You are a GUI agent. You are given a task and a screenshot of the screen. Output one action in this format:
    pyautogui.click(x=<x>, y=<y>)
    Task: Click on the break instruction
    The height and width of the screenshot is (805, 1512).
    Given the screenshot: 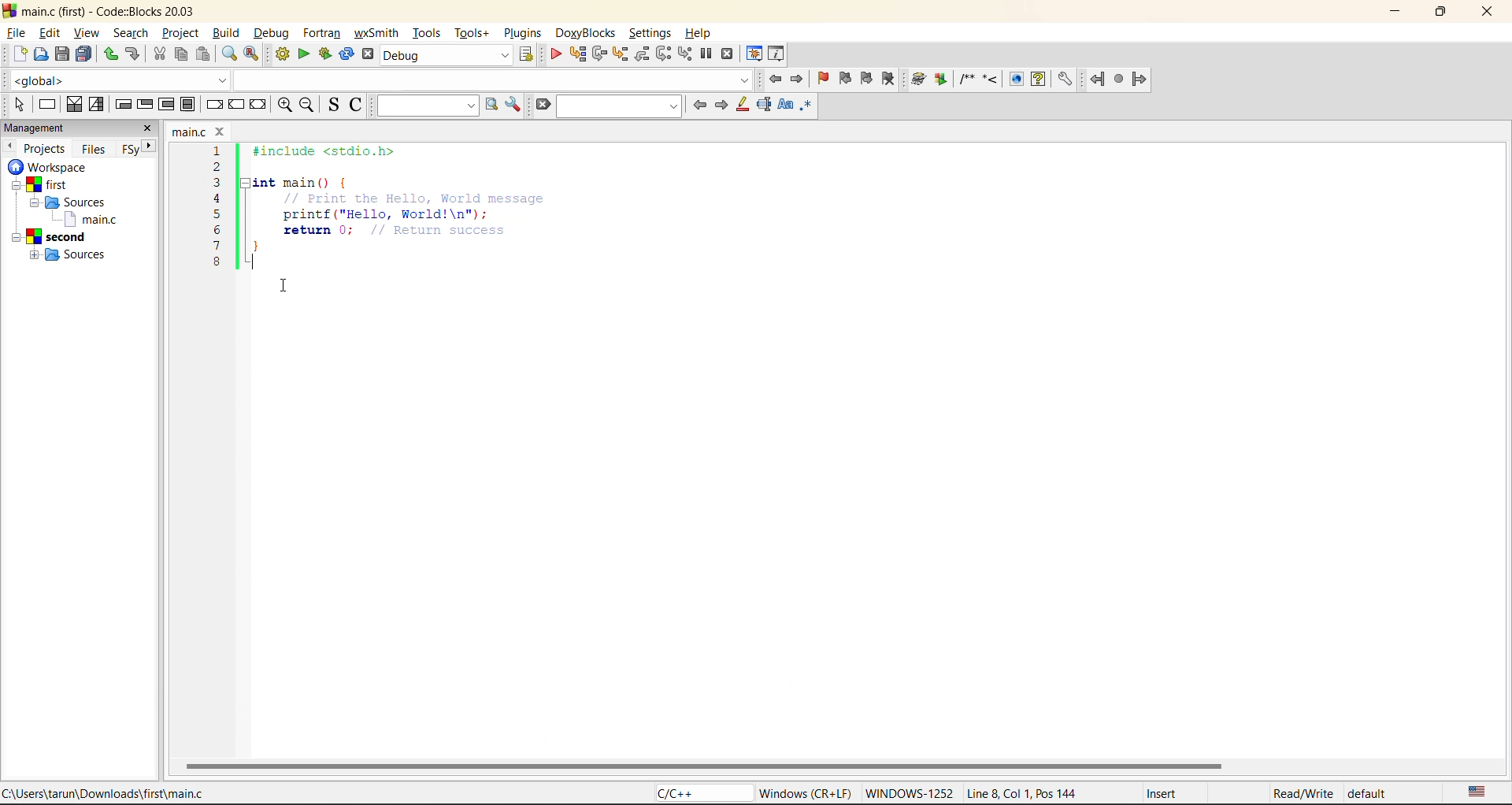 What is the action you would take?
    pyautogui.click(x=213, y=103)
    